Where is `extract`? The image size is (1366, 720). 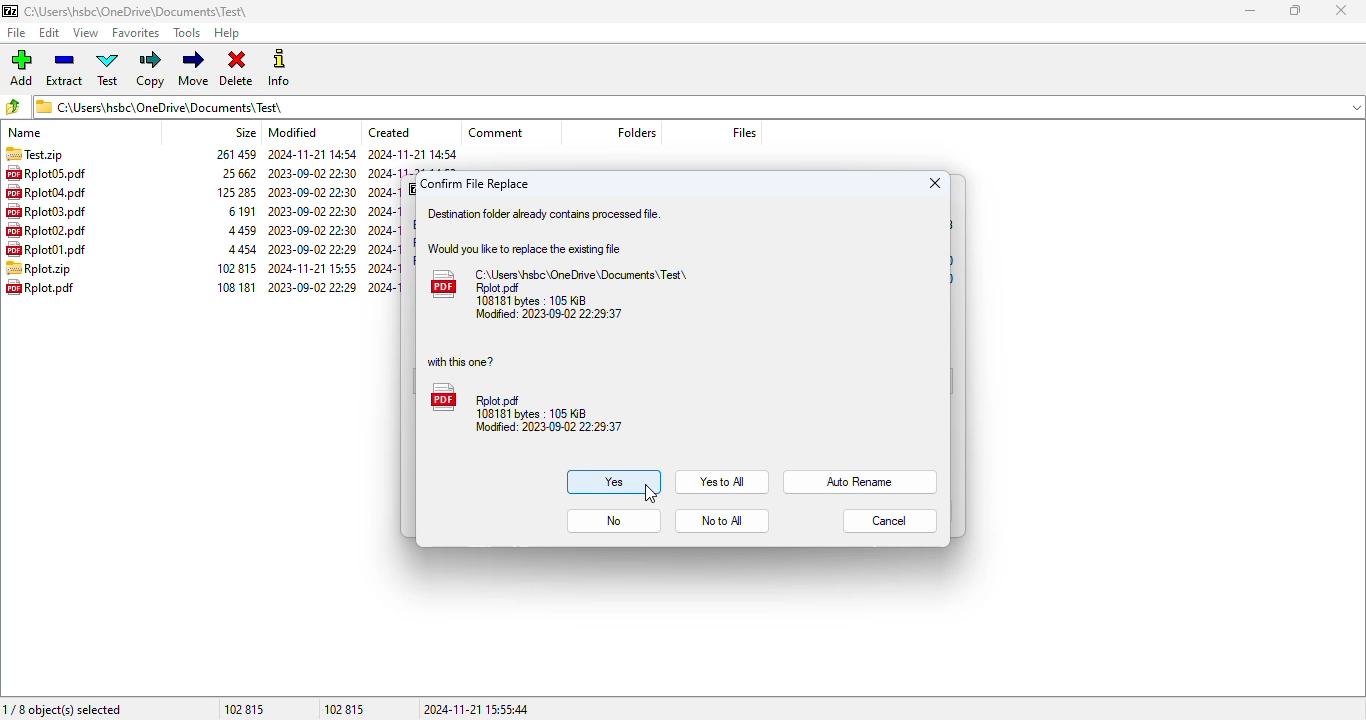 extract is located at coordinates (64, 67).